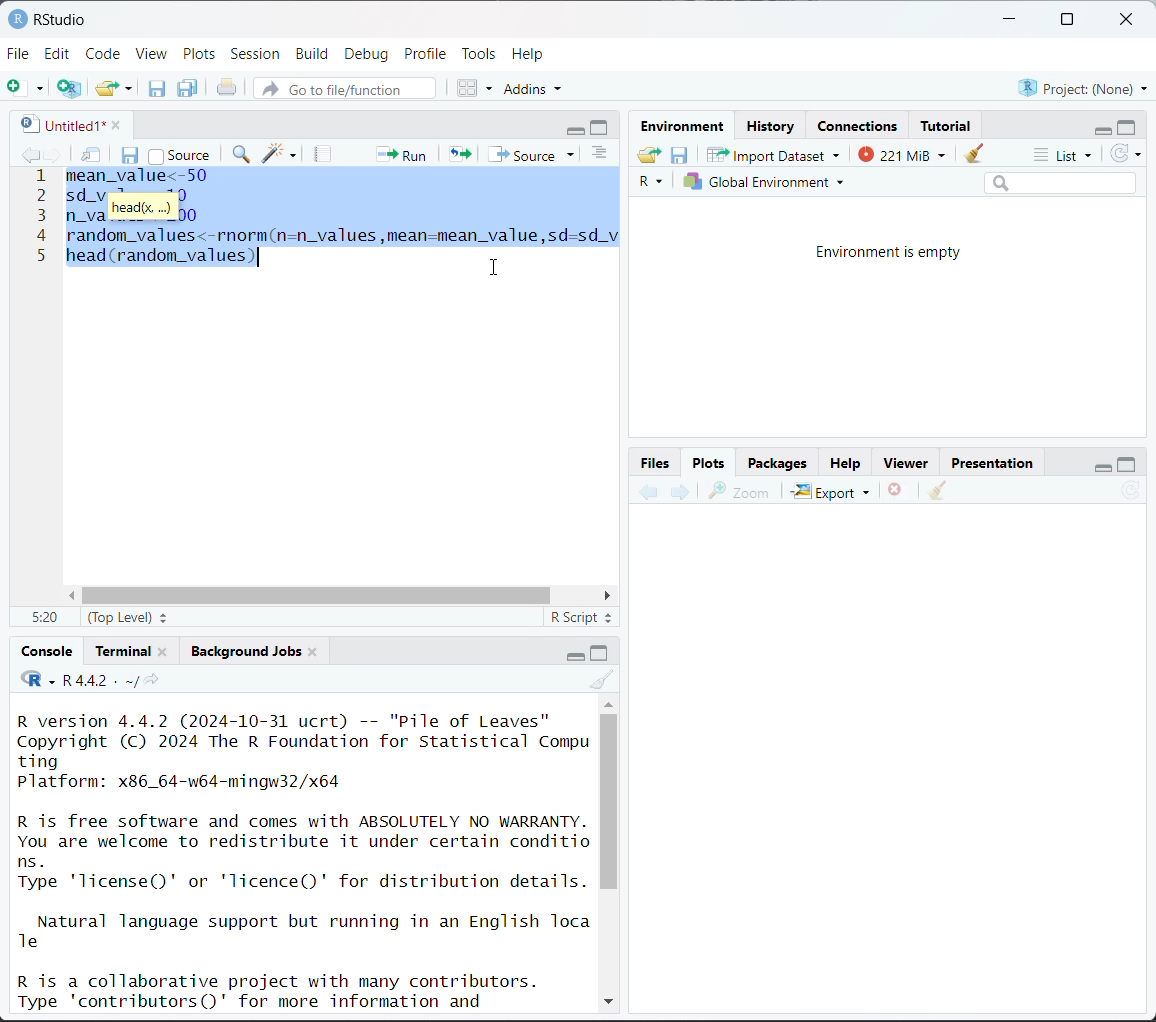  Describe the element at coordinates (476, 87) in the screenshot. I see `workspace panes` at that location.